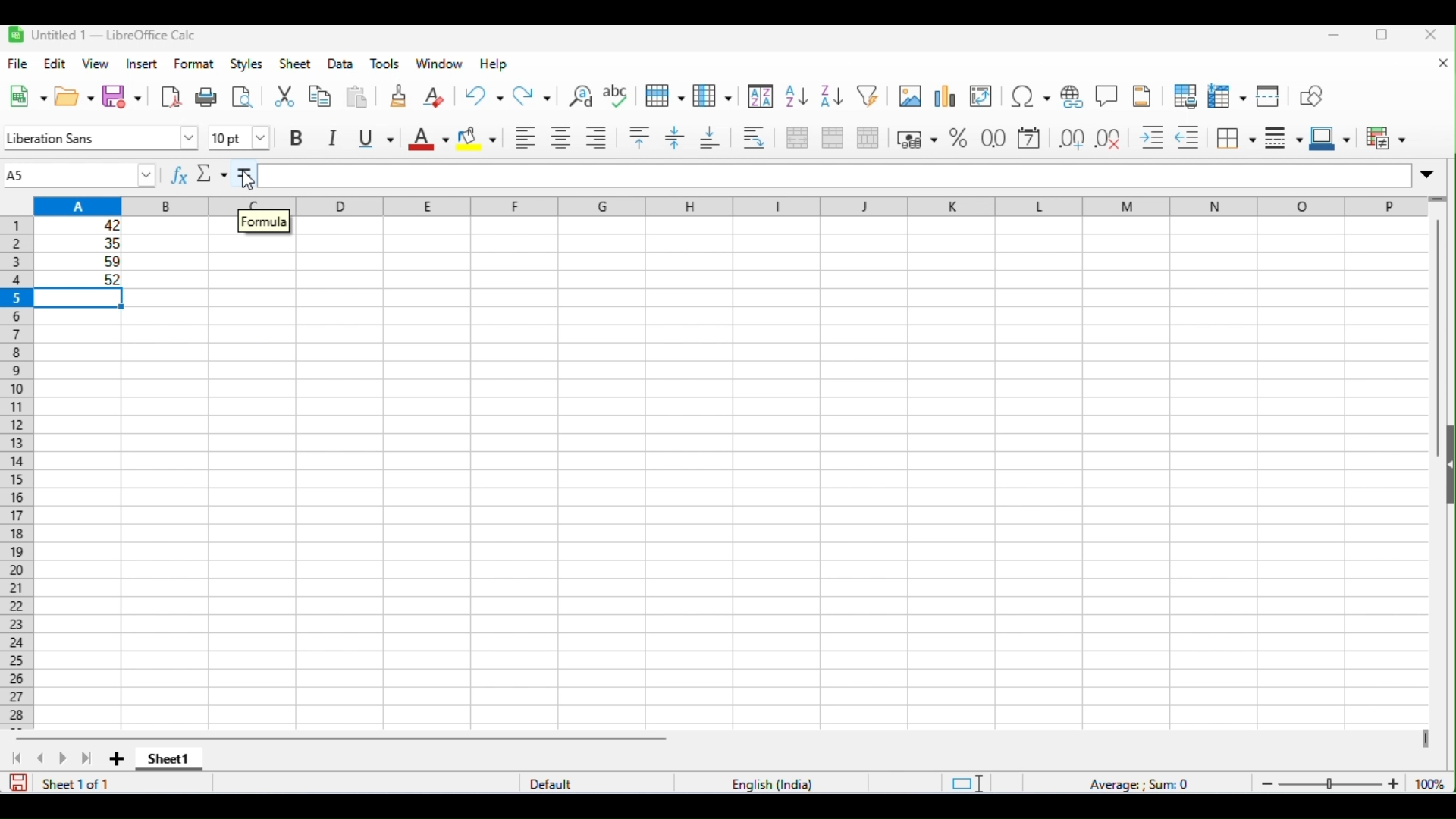 The width and height of the screenshot is (1456, 819). Describe the element at coordinates (711, 138) in the screenshot. I see `align bottom` at that location.